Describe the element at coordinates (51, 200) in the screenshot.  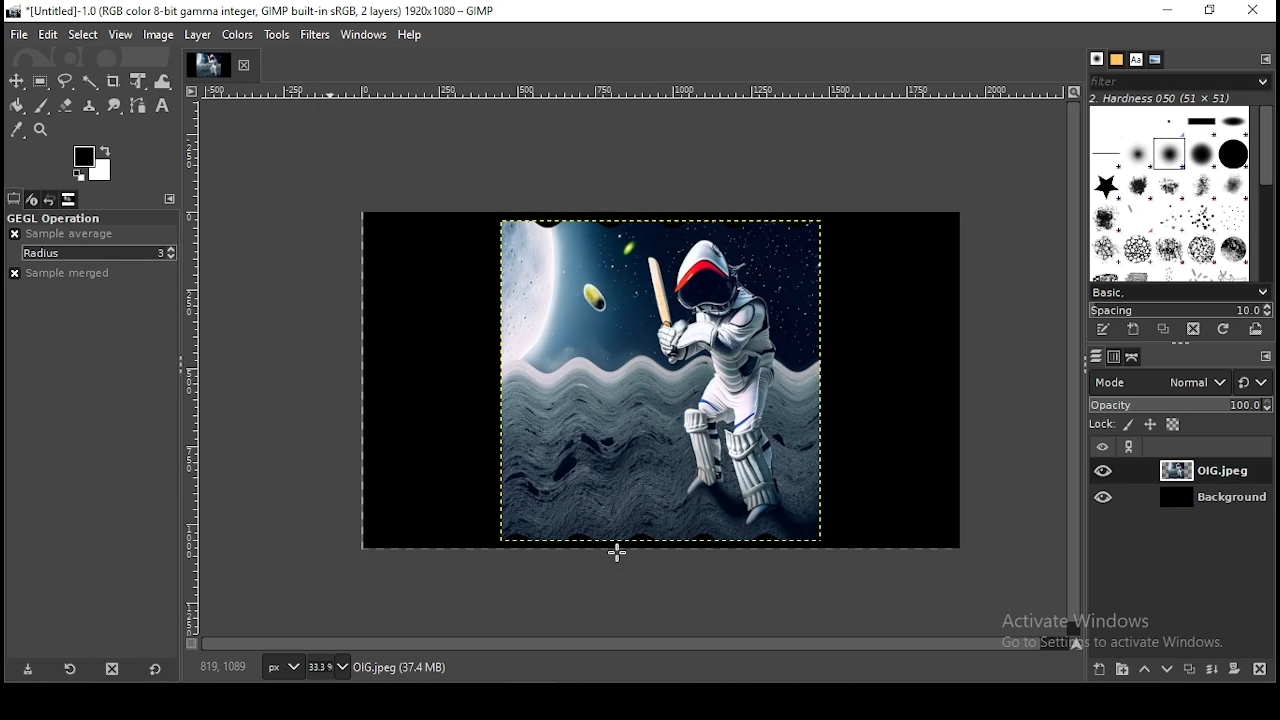
I see `undo history` at that location.